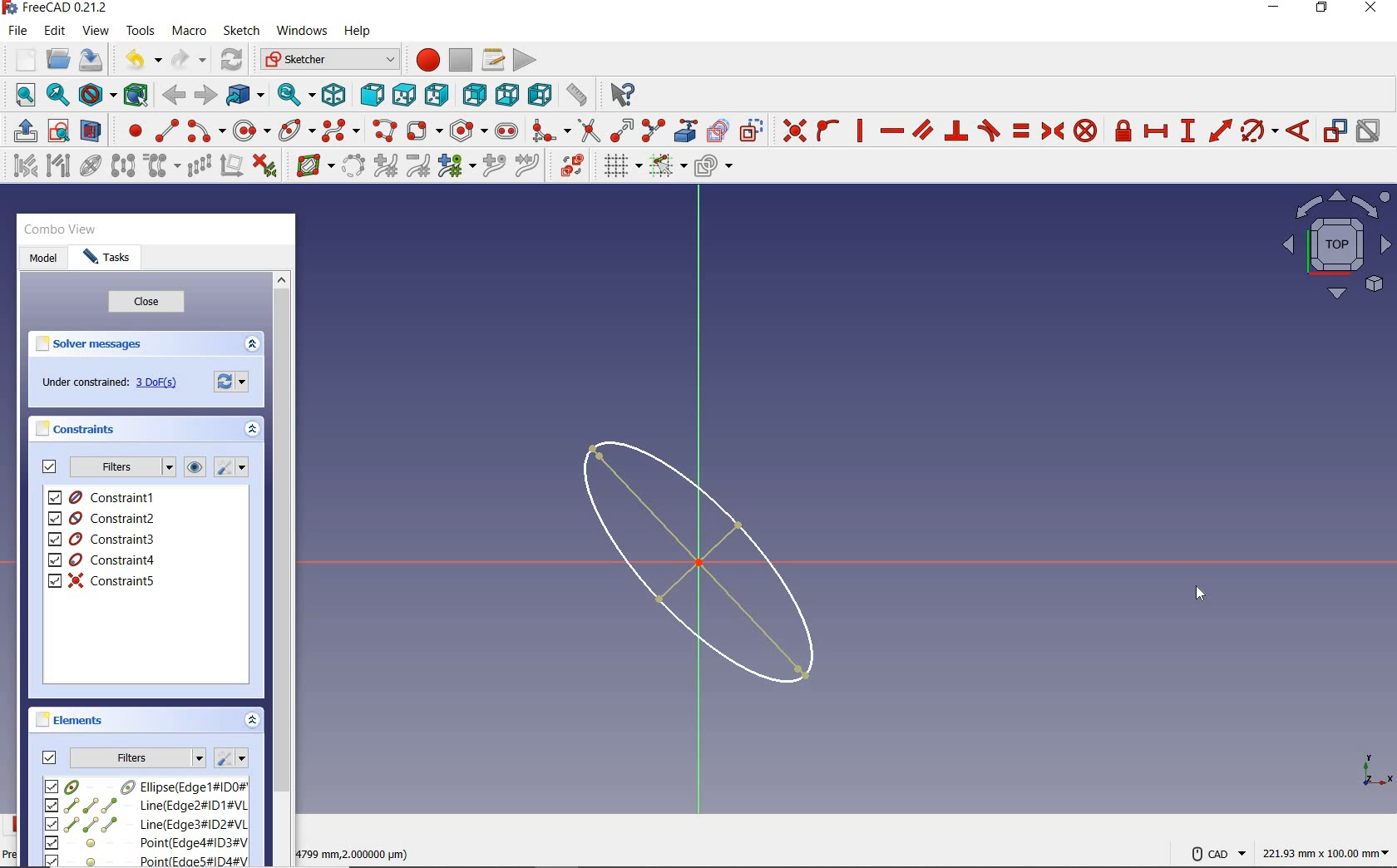  What do you see at coordinates (50, 757) in the screenshot?
I see `check to toggle filters` at bounding box center [50, 757].